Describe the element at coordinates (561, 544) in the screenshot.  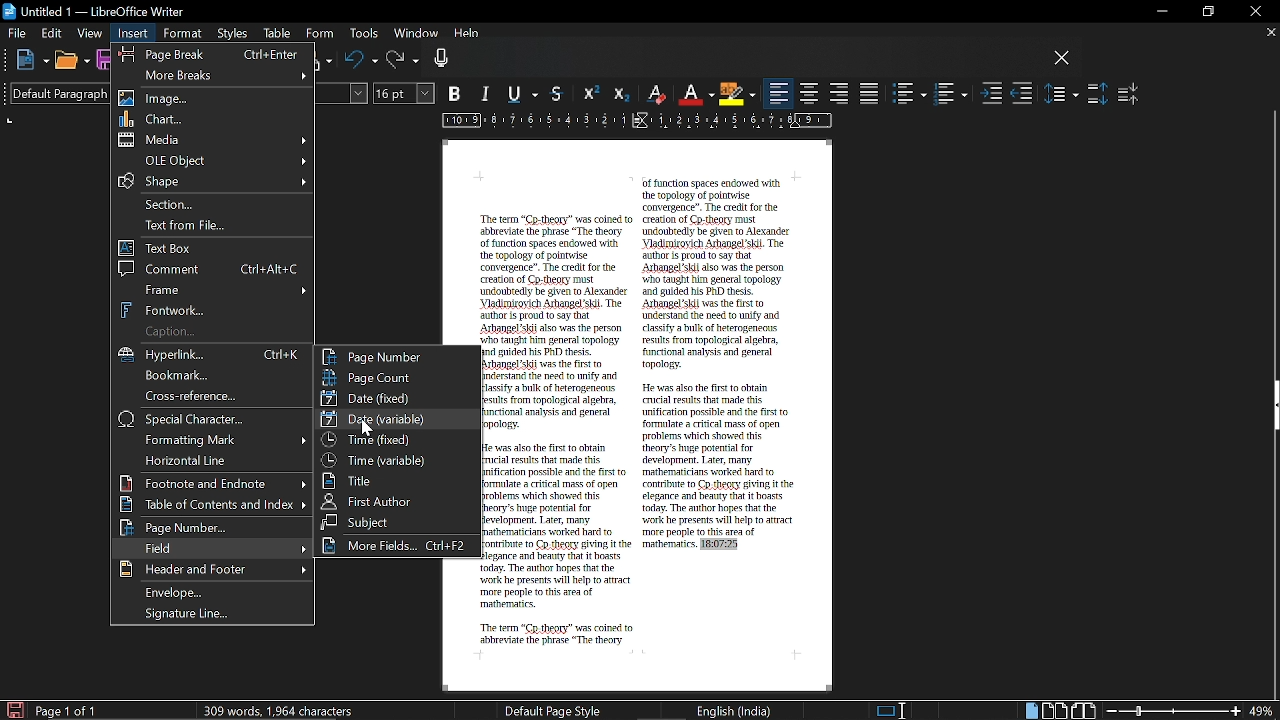
I see `He was also the first to obtain crucial results that made this unification possible and the first to formulate a critical mass of open problems which showed this theory's huge potential for development. I ater, many mathematicians worked hard to contribute to Co theory giving it the elegance and beauty that it boasts today. The author hopes that the work he presents will help to attract more people to this area of mathematics.  The term "Cp theory" was coined to abbreviate the phrase "The theory` at that location.